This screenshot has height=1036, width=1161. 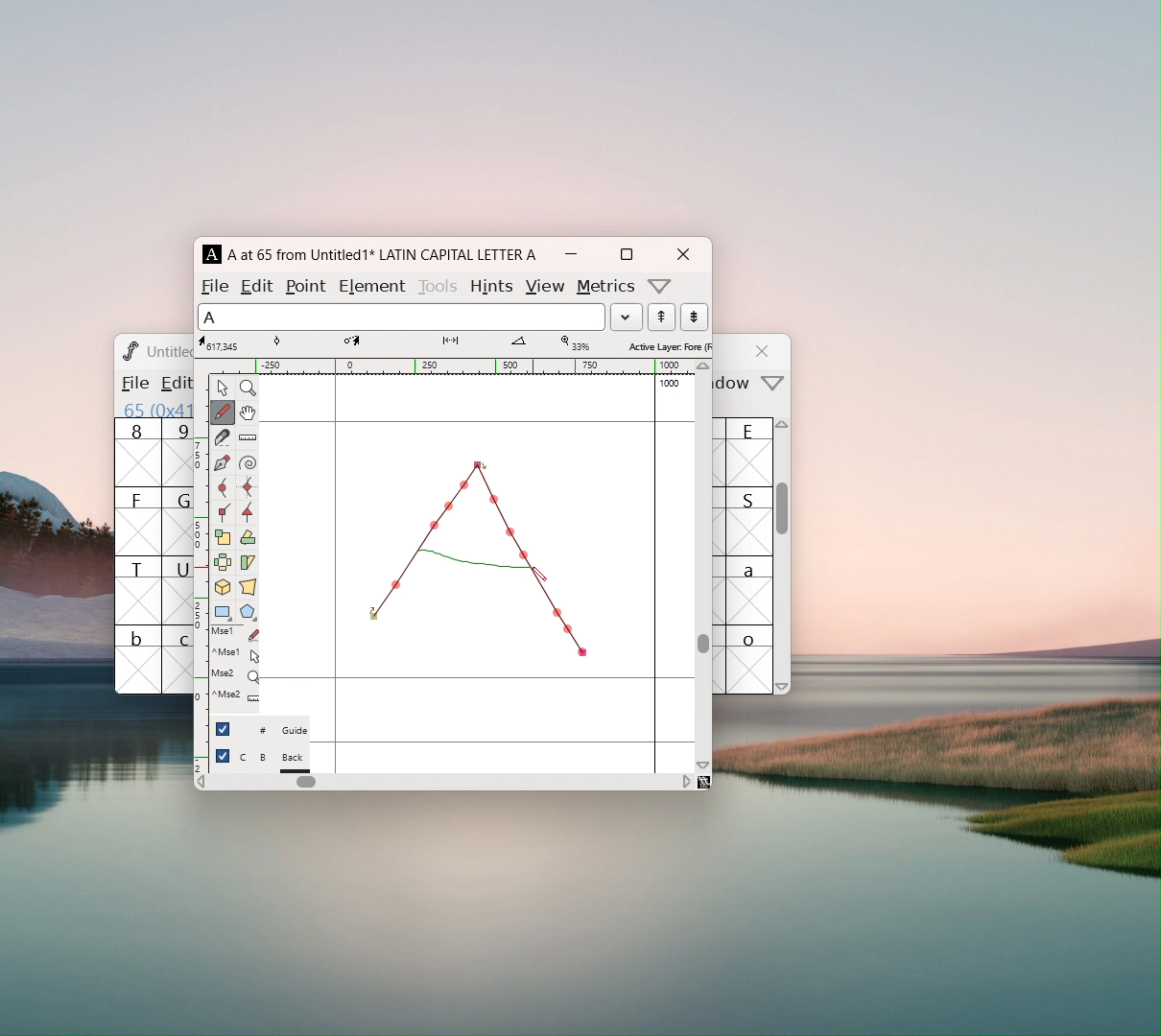 What do you see at coordinates (750, 452) in the screenshot?
I see `E` at bounding box center [750, 452].